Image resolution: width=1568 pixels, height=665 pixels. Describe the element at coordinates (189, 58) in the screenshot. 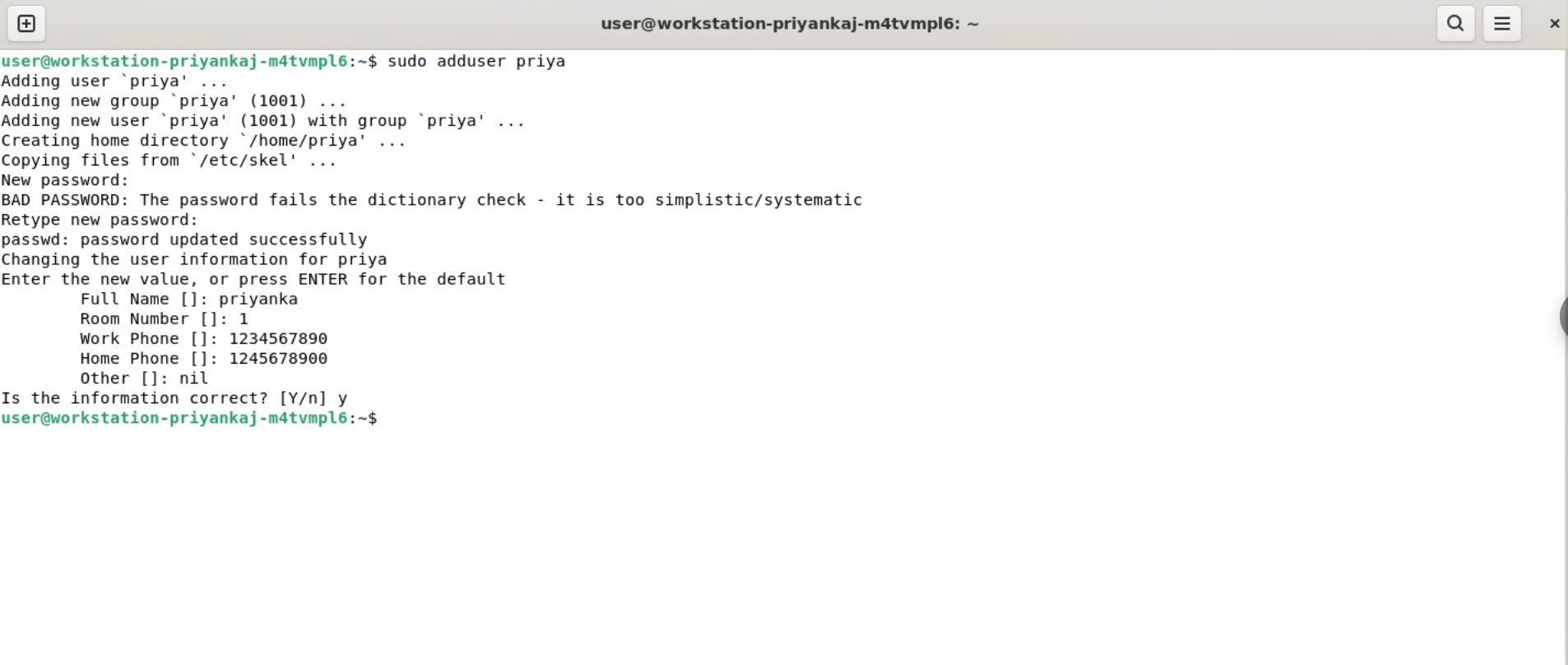

I see `user@workstation-priyankaj-m4tvmpl6:~$` at that location.